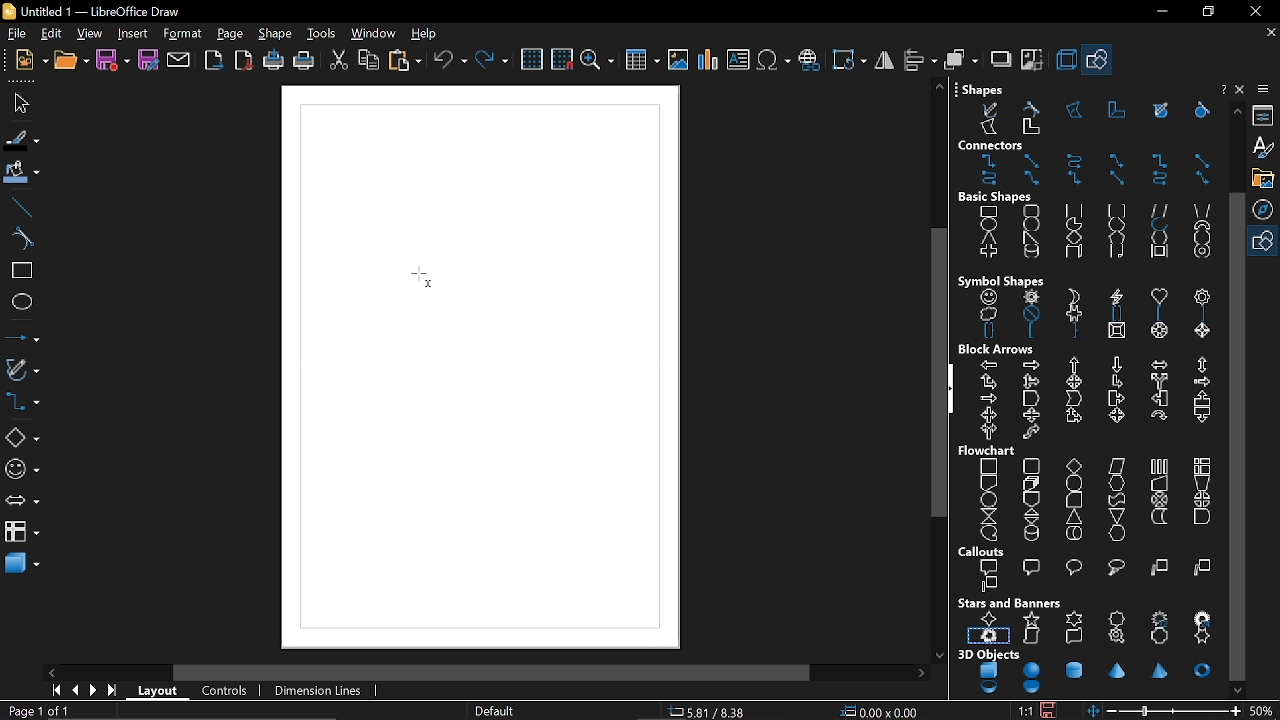 The image size is (1280, 720). What do you see at coordinates (18, 271) in the screenshot?
I see `rectangle` at bounding box center [18, 271].